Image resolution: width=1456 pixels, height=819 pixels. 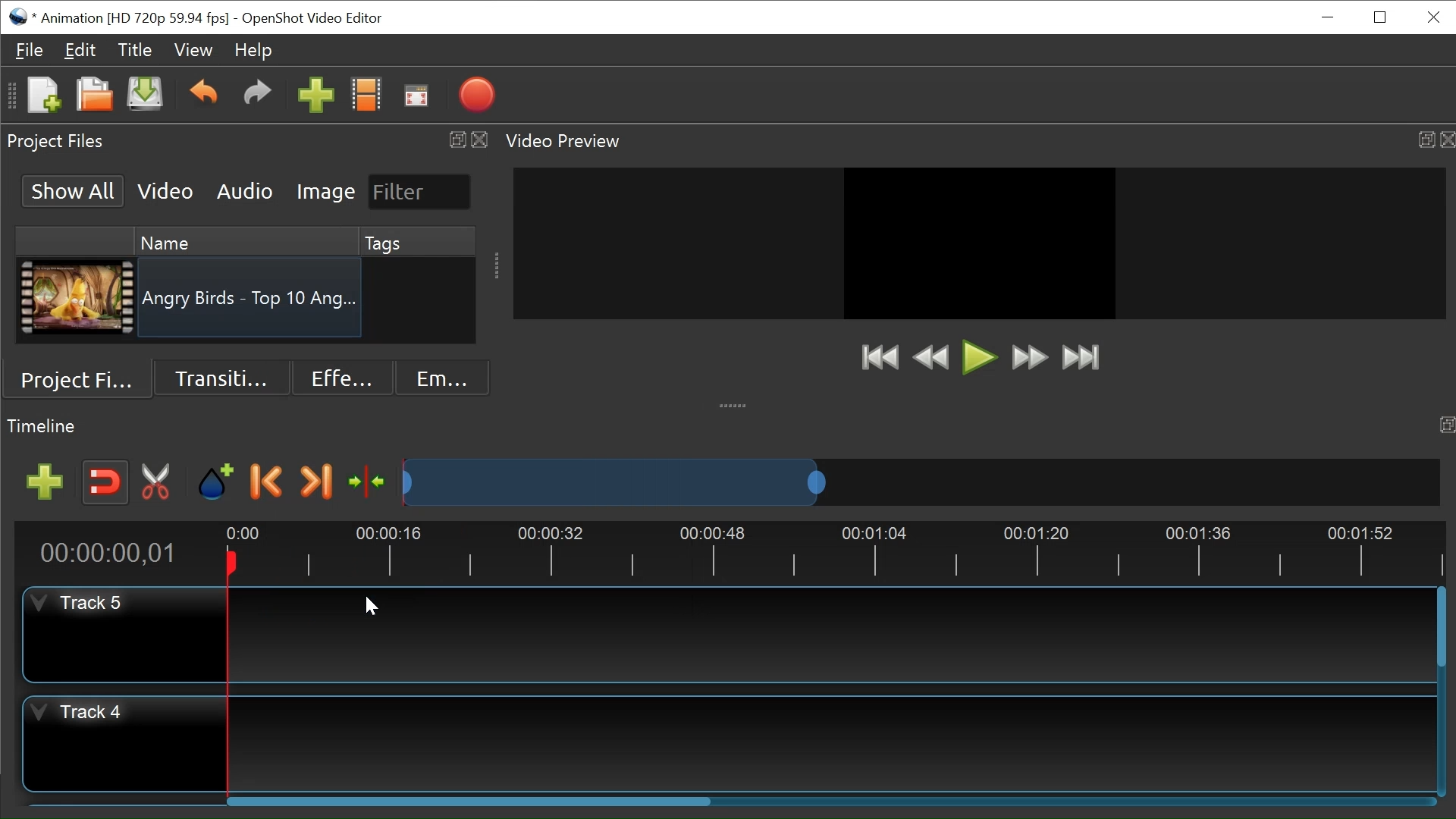 I want to click on Drag handle, so click(x=735, y=404).